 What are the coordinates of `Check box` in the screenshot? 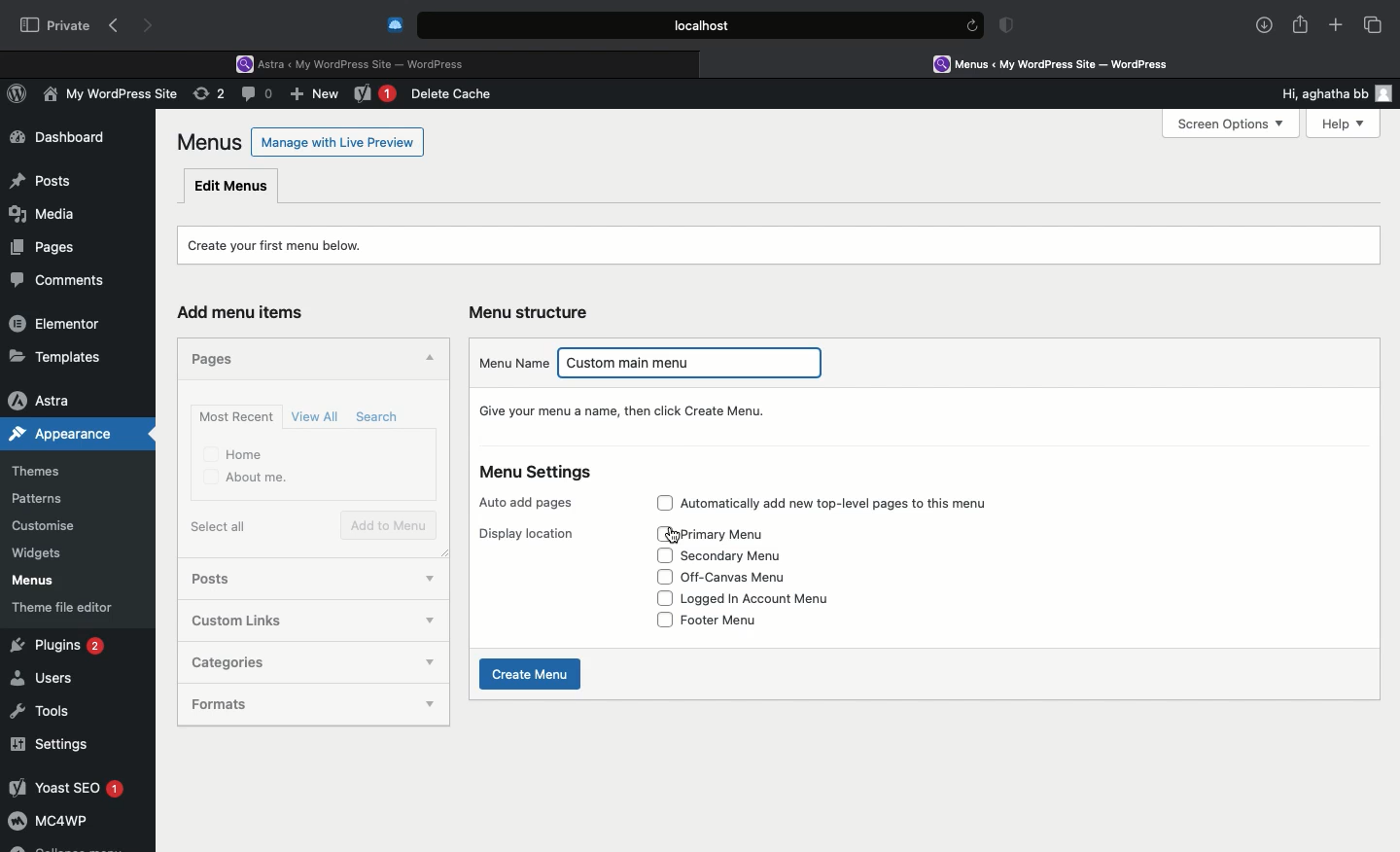 It's located at (663, 621).